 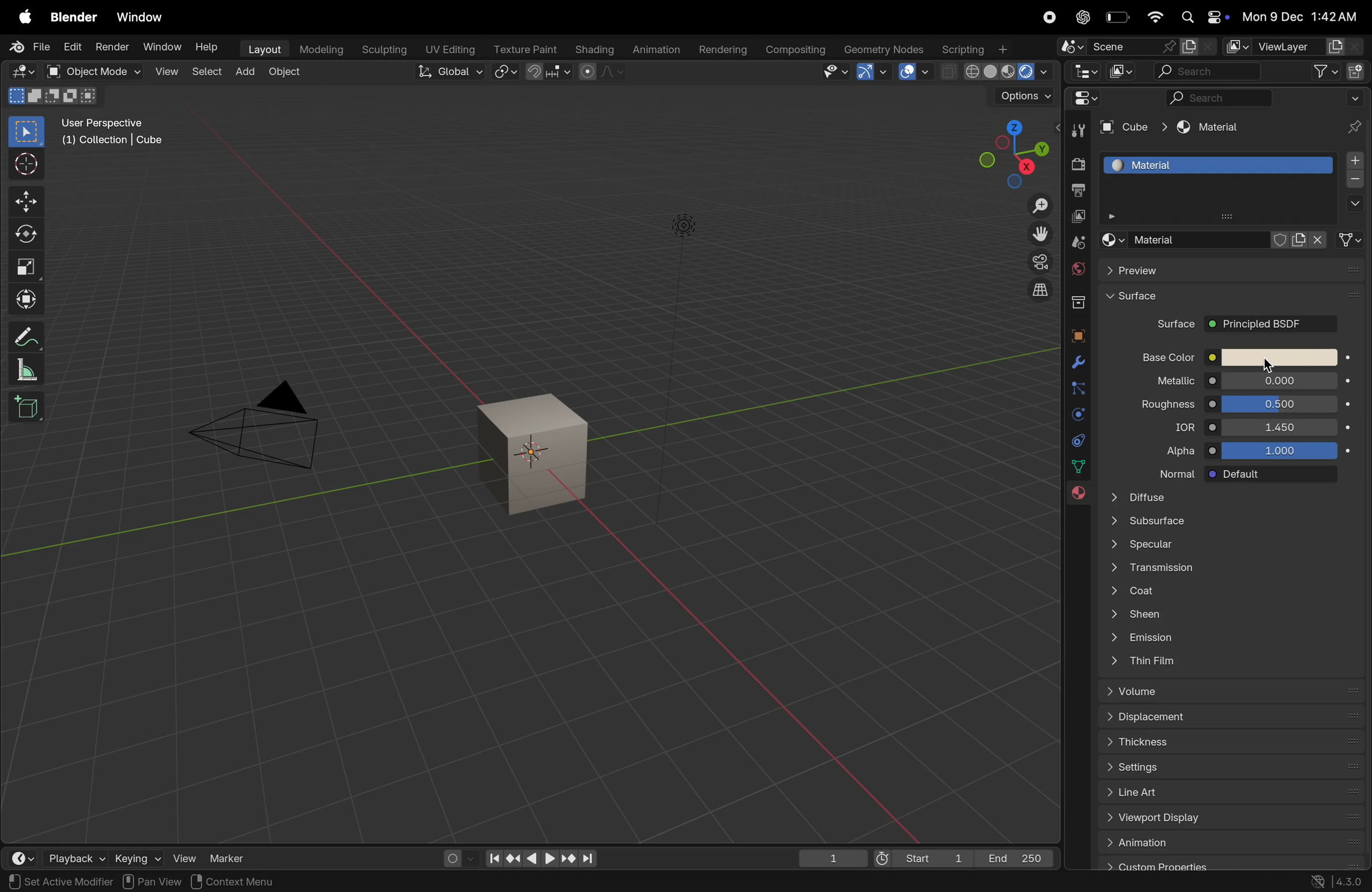 What do you see at coordinates (1269, 364) in the screenshot?
I see `cursor` at bounding box center [1269, 364].